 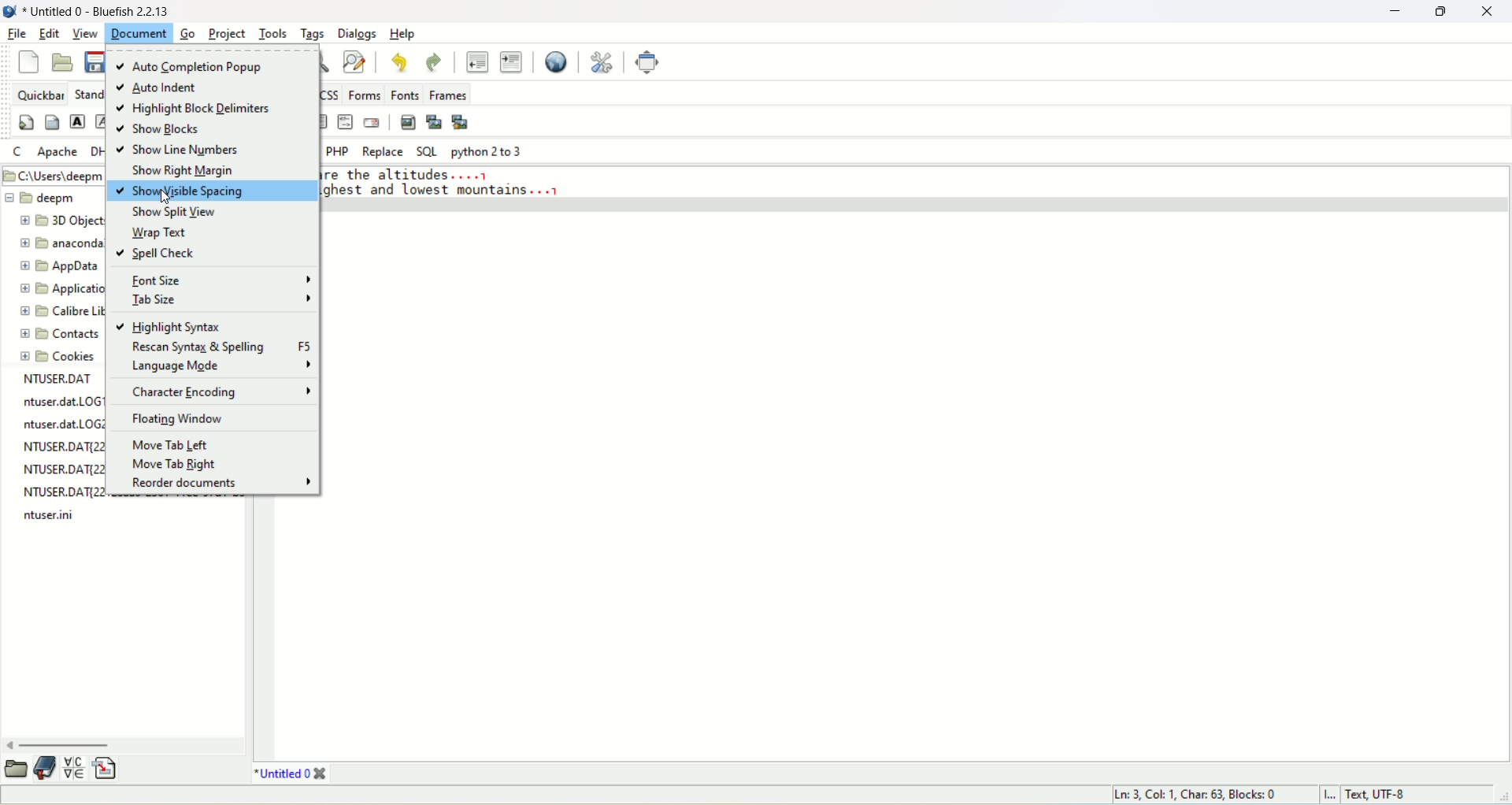 What do you see at coordinates (84, 33) in the screenshot?
I see `view` at bounding box center [84, 33].